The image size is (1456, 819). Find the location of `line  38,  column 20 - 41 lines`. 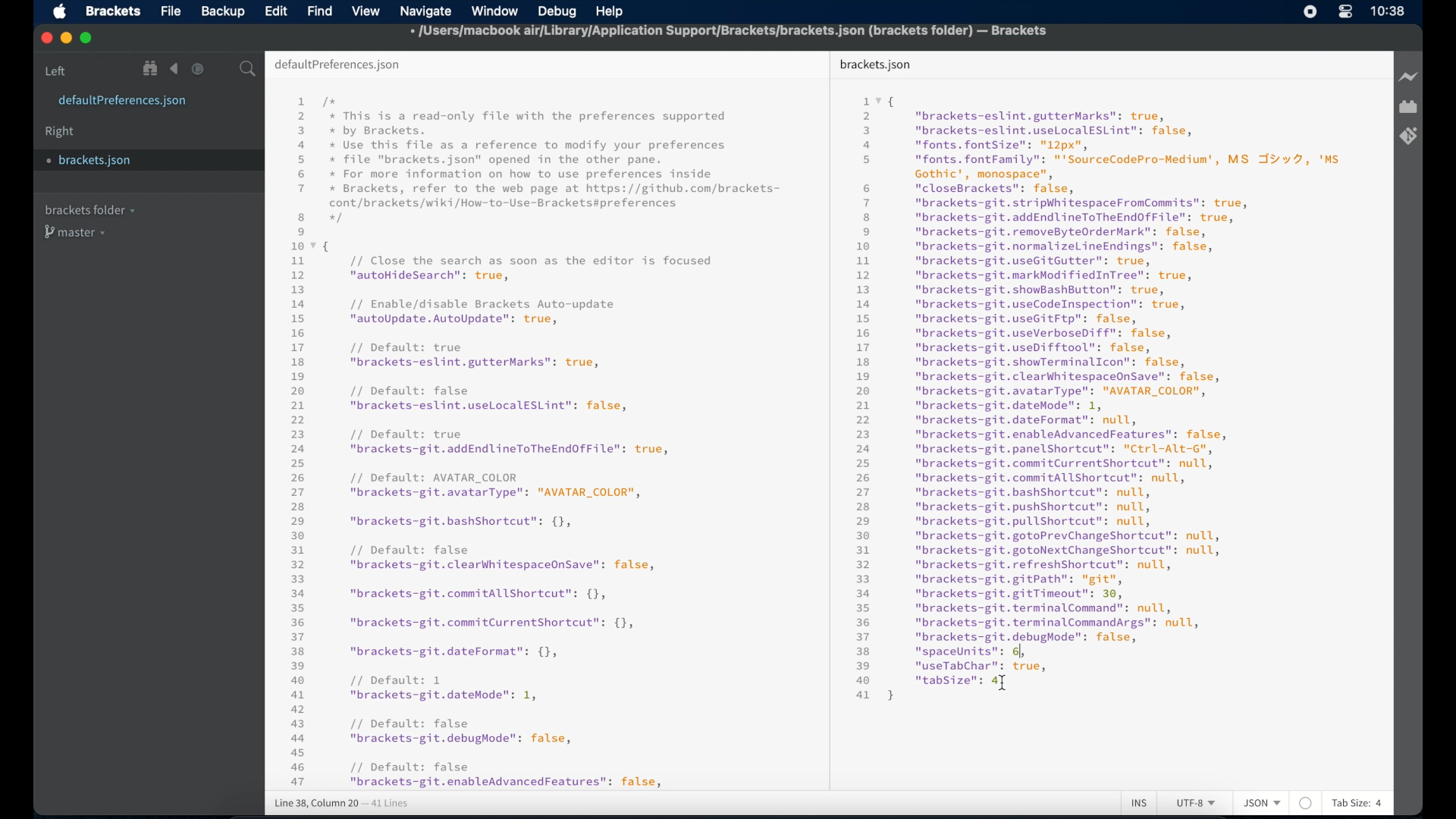

line  38,  column 20 - 41 lines is located at coordinates (342, 804).